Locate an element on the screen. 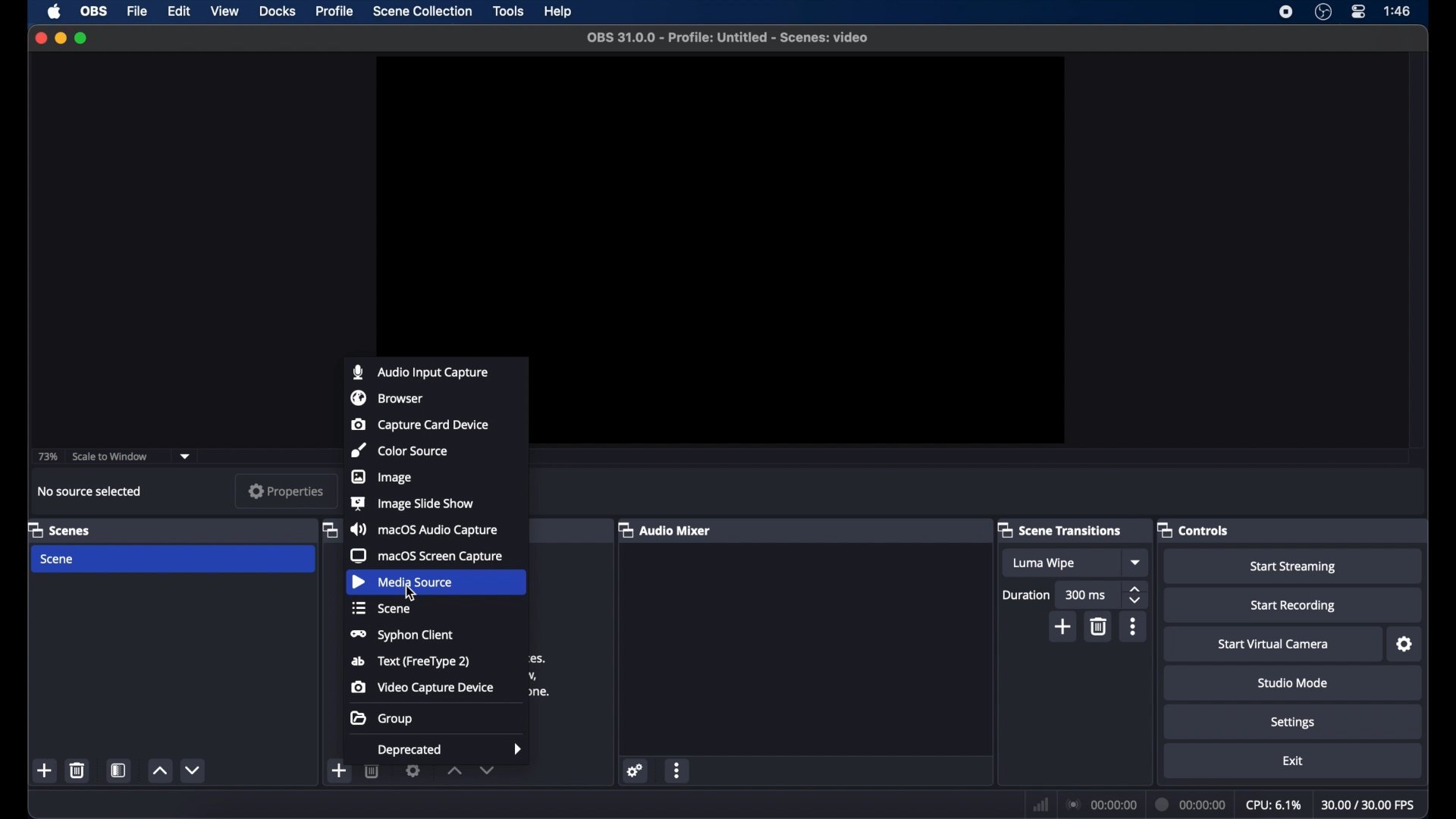 This screenshot has height=819, width=1456. add is located at coordinates (338, 770).